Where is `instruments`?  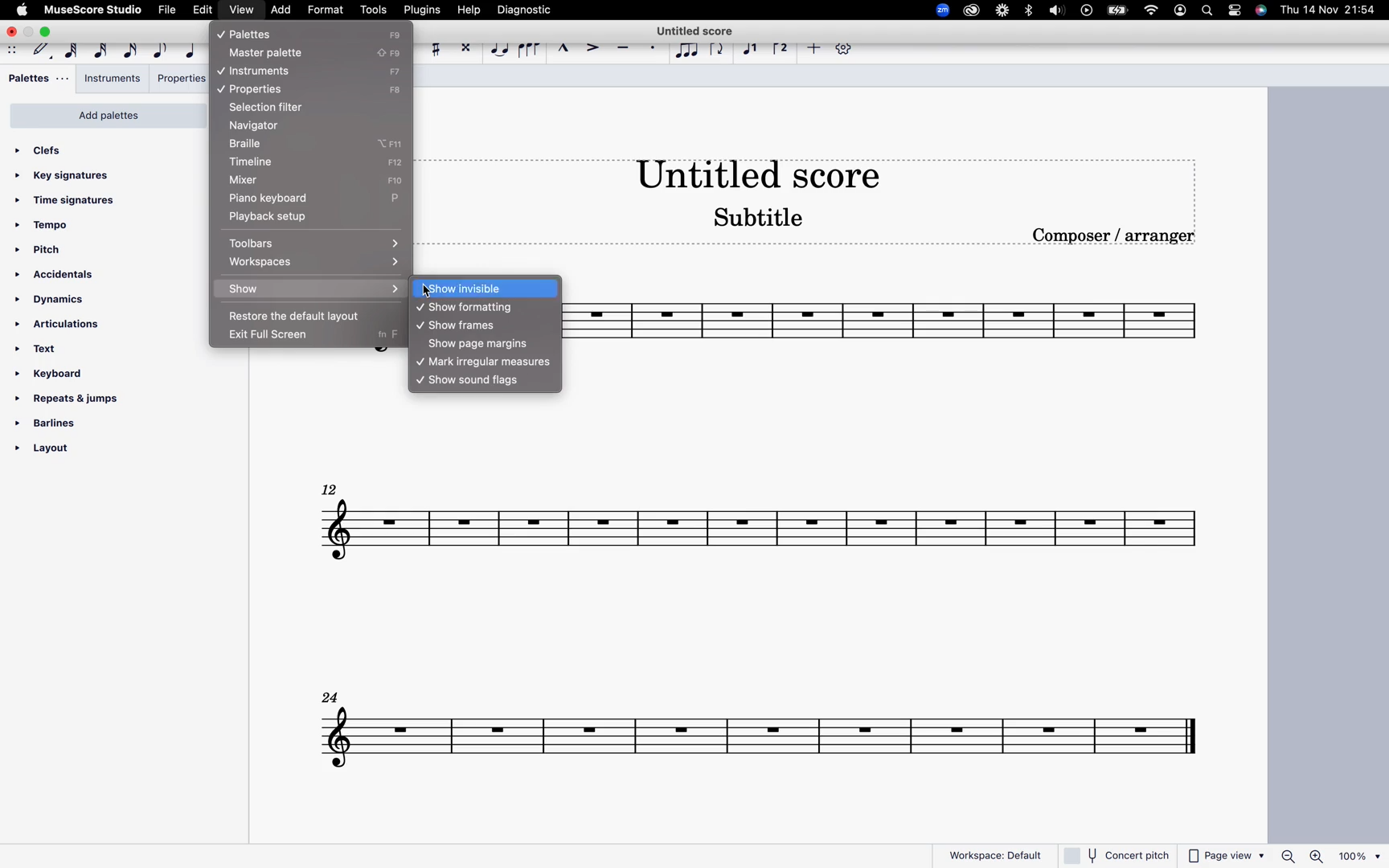
instruments is located at coordinates (266, 71).